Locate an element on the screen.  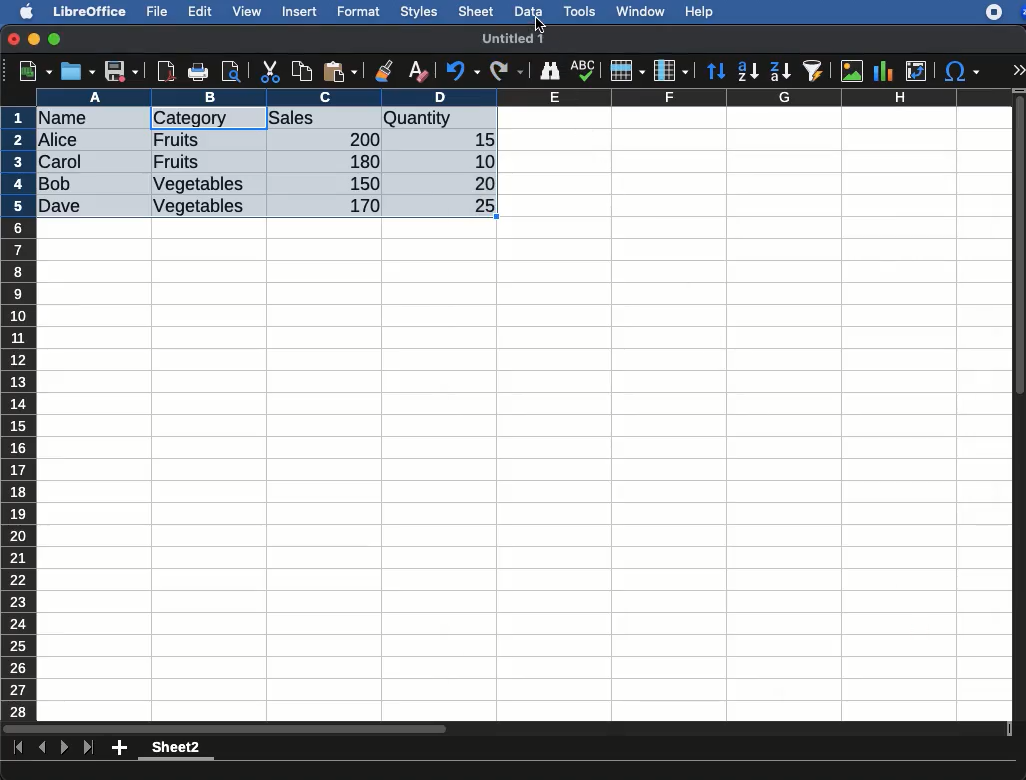
chart is located at coordinates (884, 71).